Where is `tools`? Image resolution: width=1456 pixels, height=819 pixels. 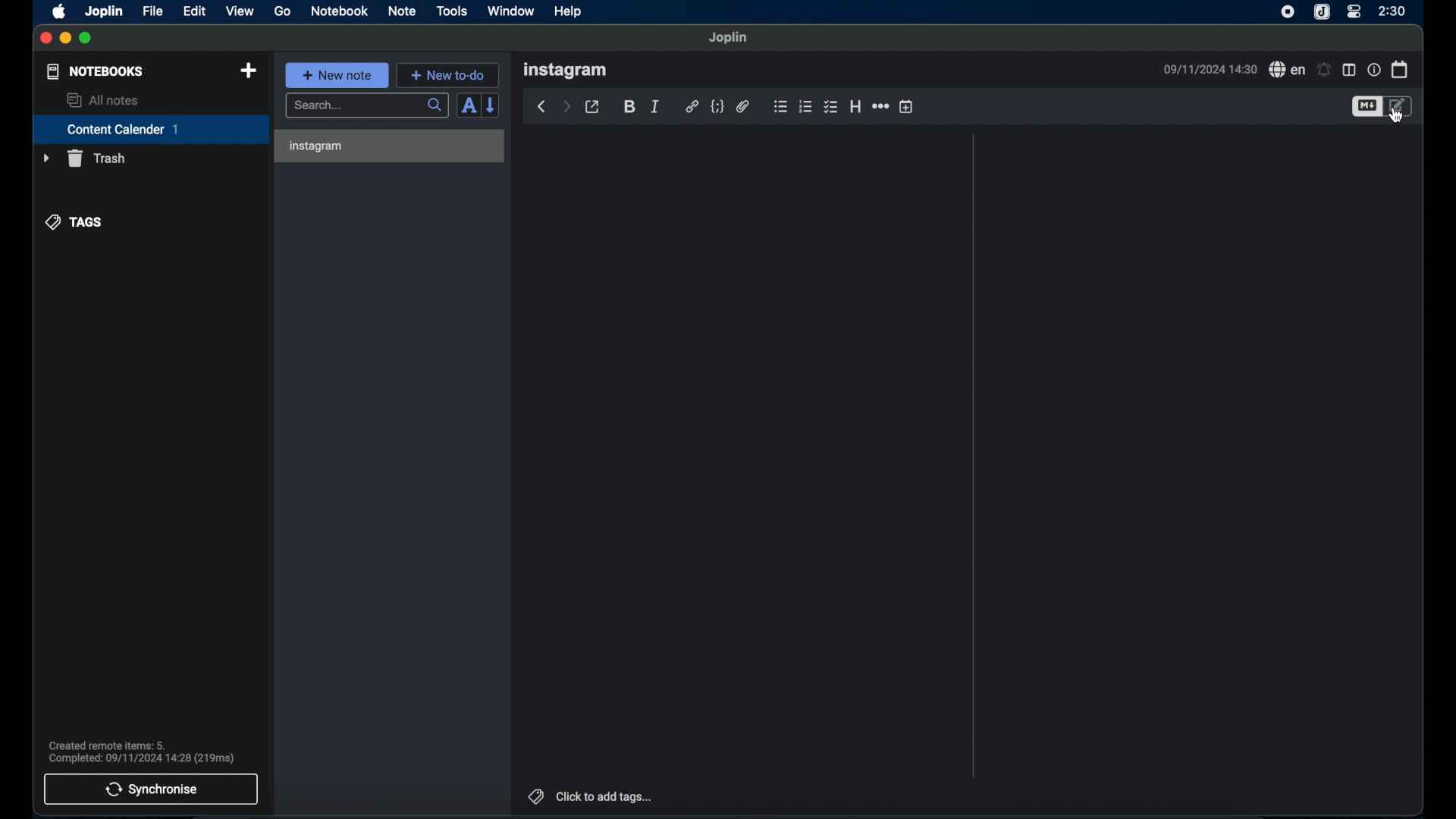
tools is located at coordinates (451, 11).